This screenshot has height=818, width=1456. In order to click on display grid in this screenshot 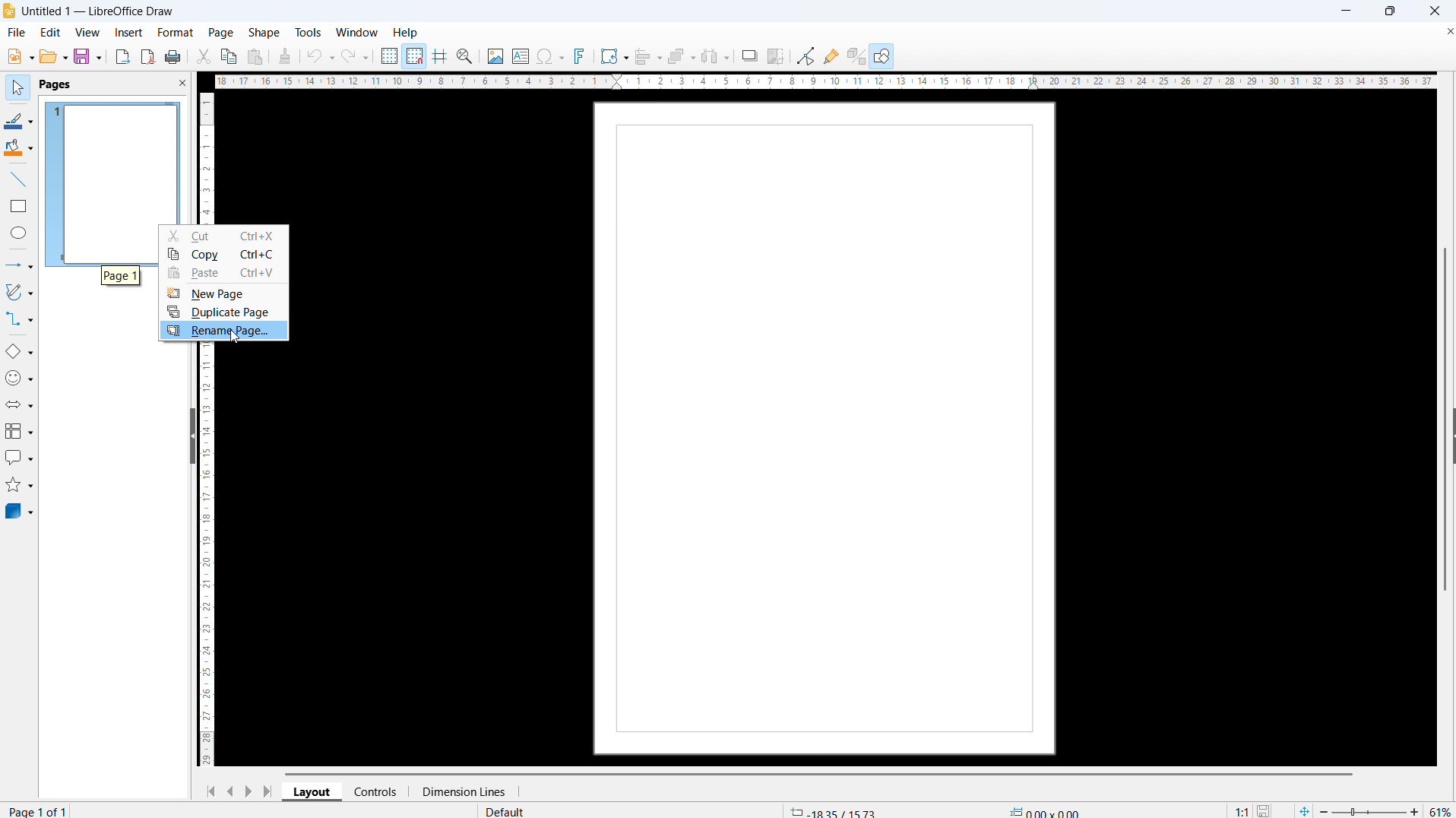, I will do `click(388, 55)`.